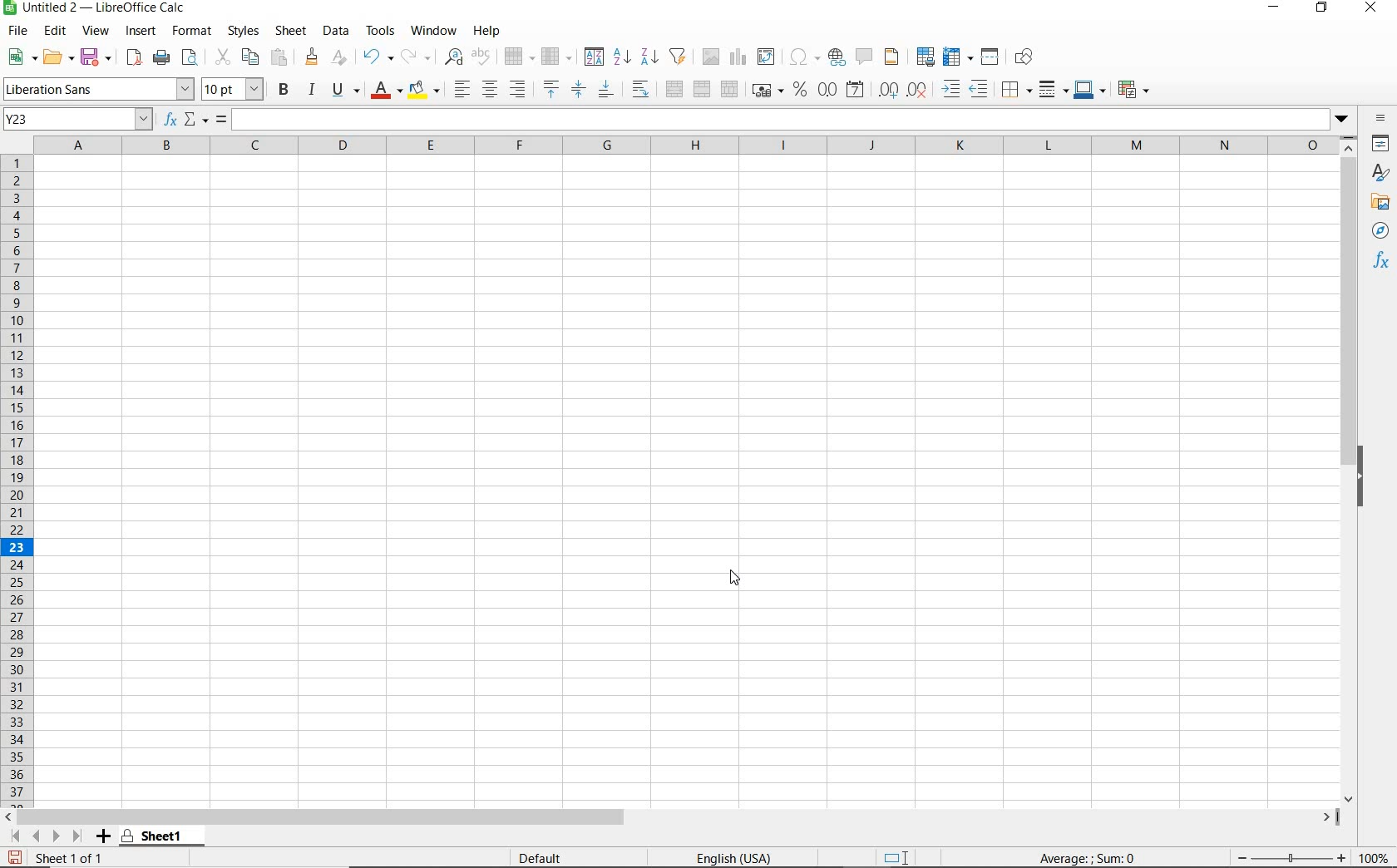 The image size is (1397, 868). I want to click on COPY, so click(250, 57).